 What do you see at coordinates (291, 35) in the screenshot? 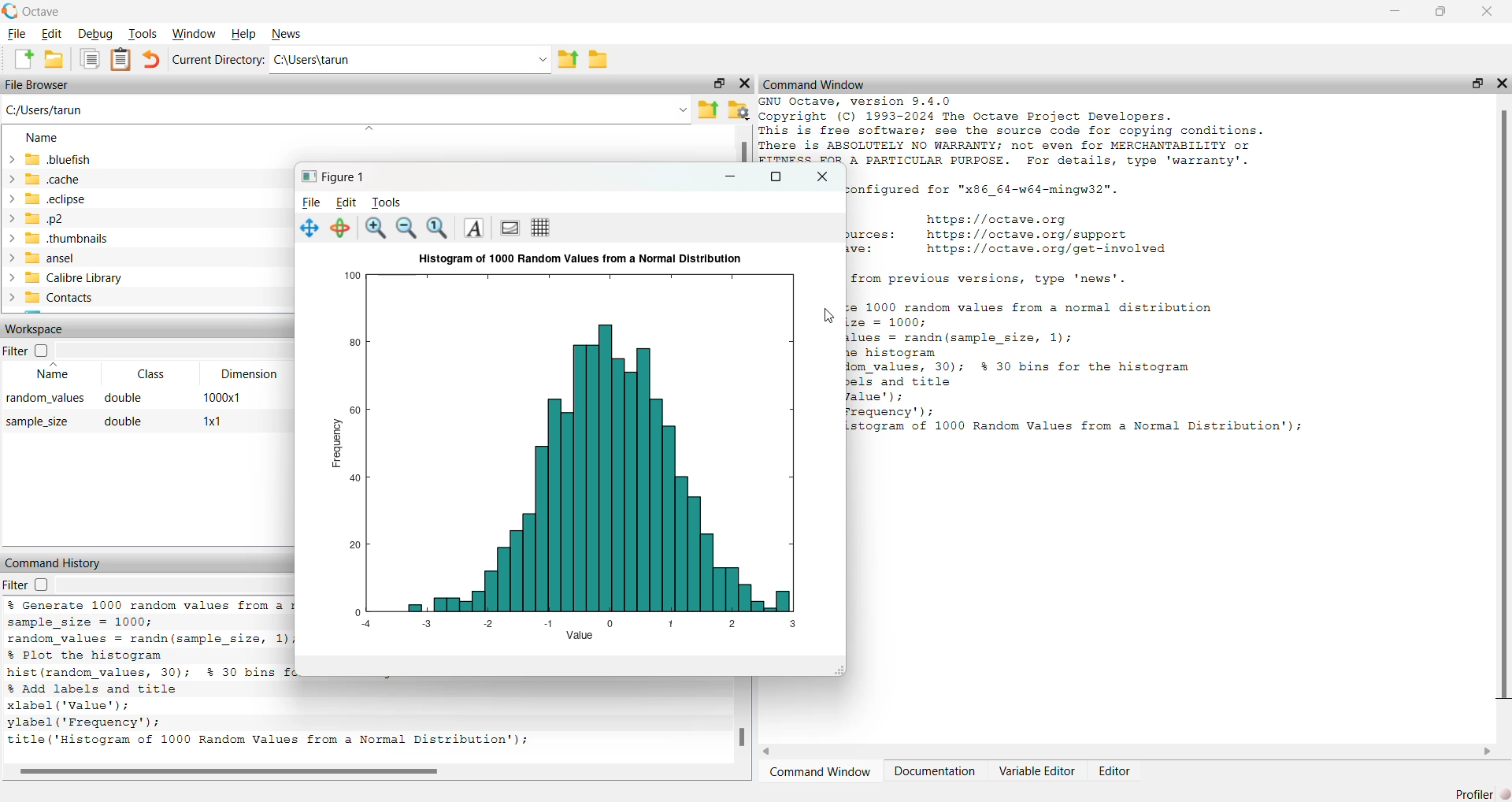
I see `News` at bounding box center [291, 35].